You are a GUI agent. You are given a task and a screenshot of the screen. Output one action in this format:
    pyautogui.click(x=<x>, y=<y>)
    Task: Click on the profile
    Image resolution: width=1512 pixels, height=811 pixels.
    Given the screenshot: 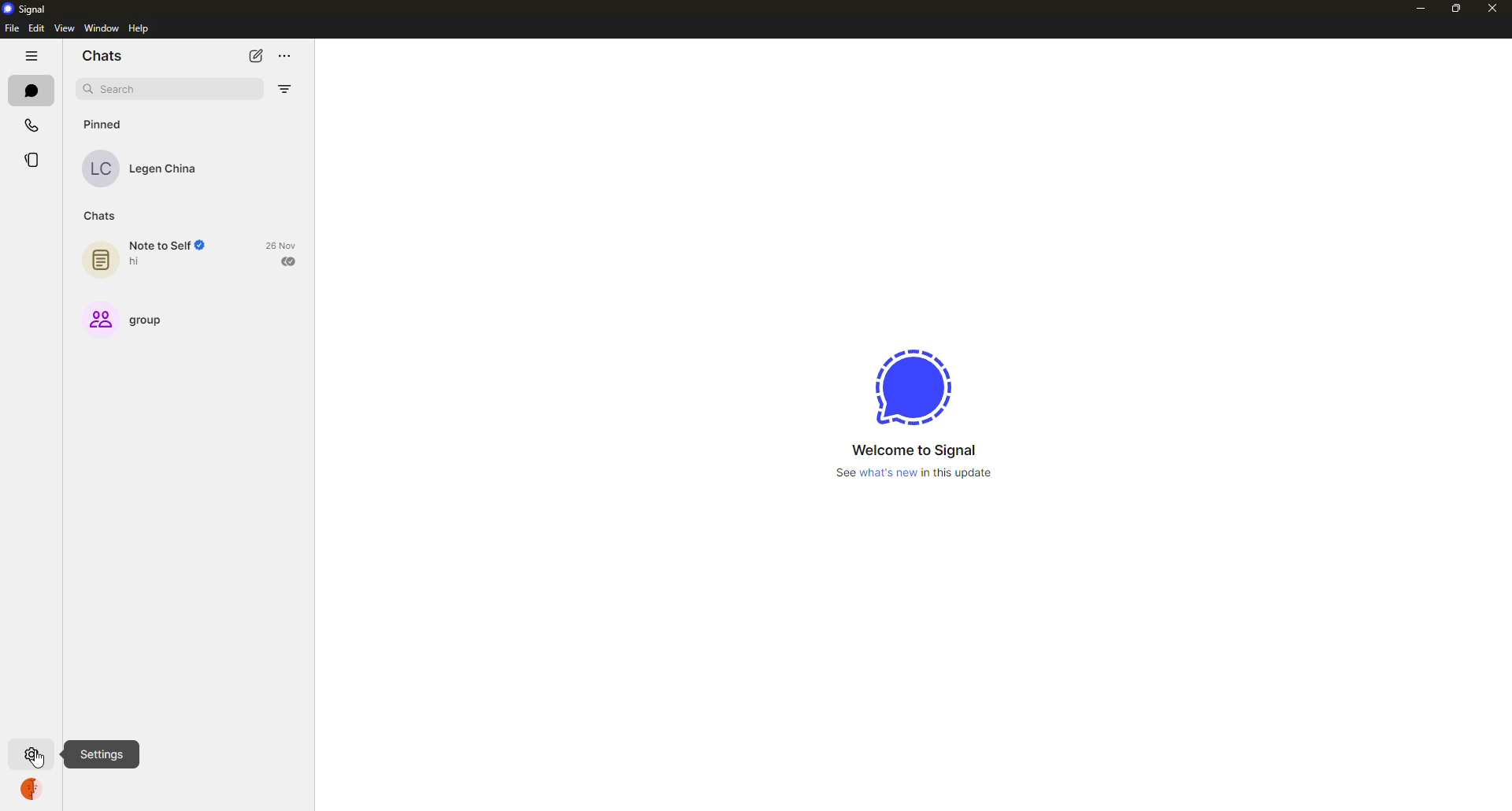 What is the action you would take?
    pyautogui.click(x=36, y=789)
    